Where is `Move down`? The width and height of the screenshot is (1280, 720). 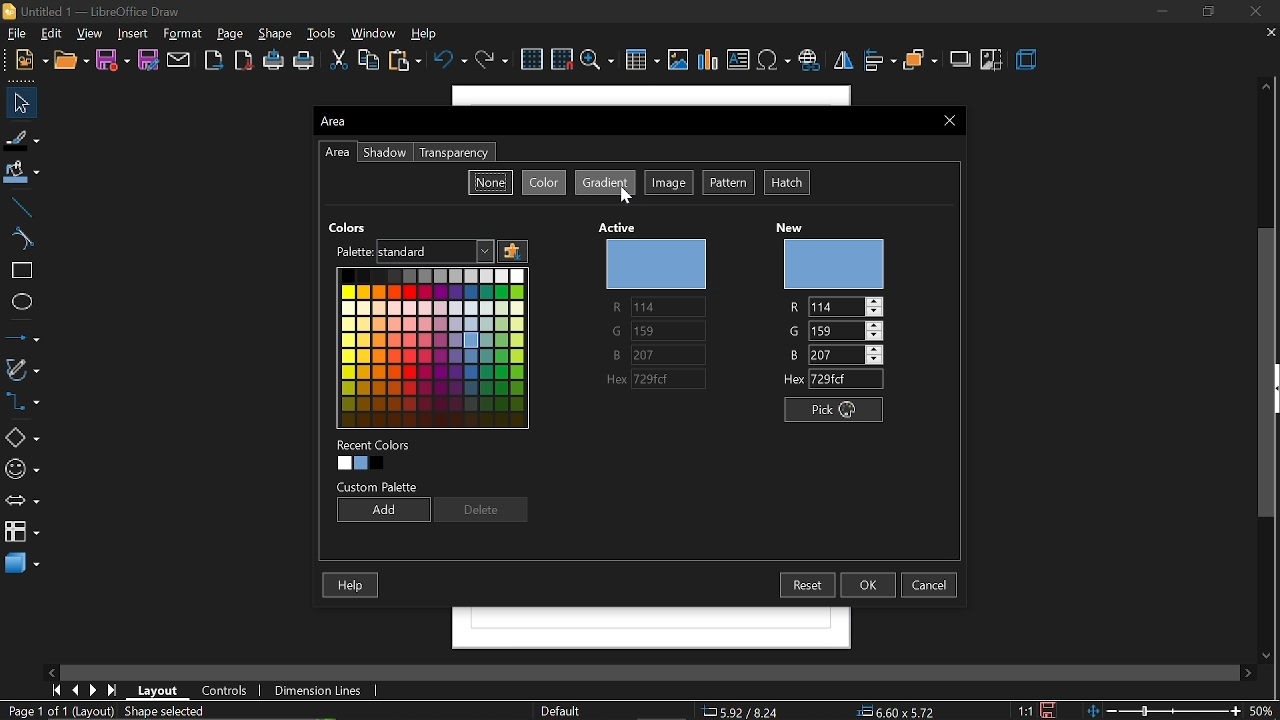 Move down is located at coordinates (1271, 656).